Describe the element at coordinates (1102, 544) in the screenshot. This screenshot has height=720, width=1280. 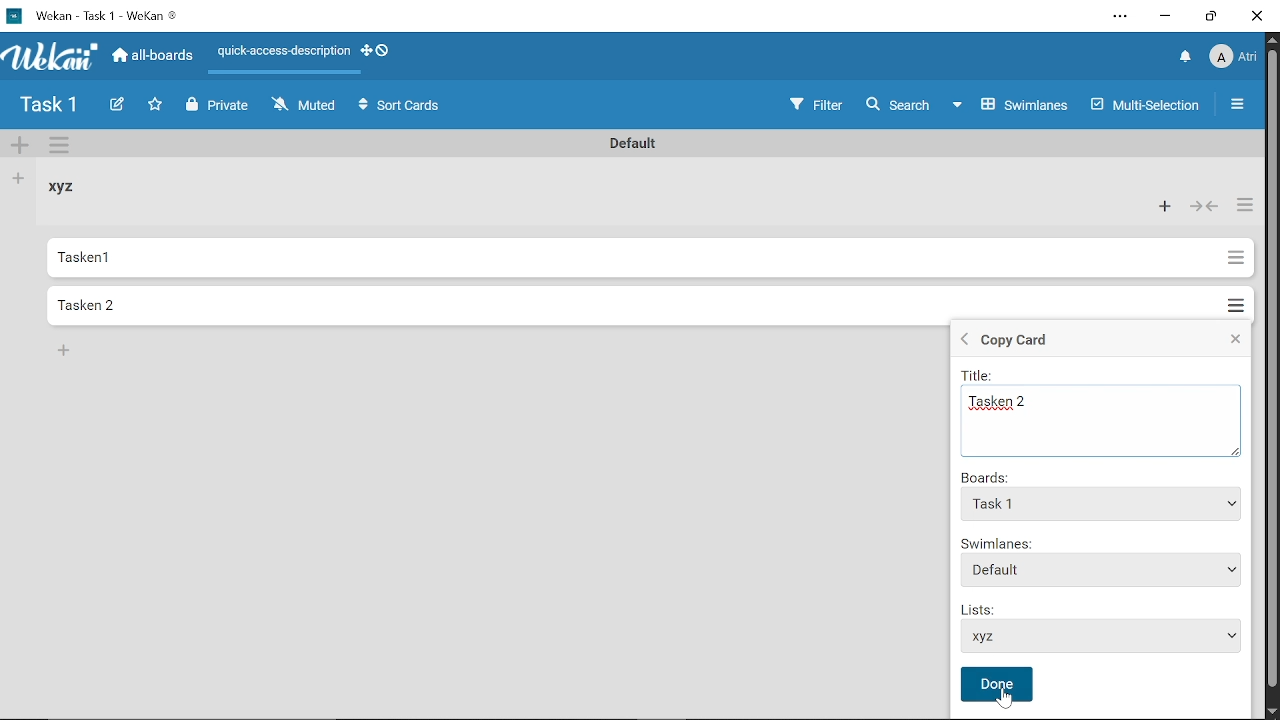
I see `Swimlanes` at that location.